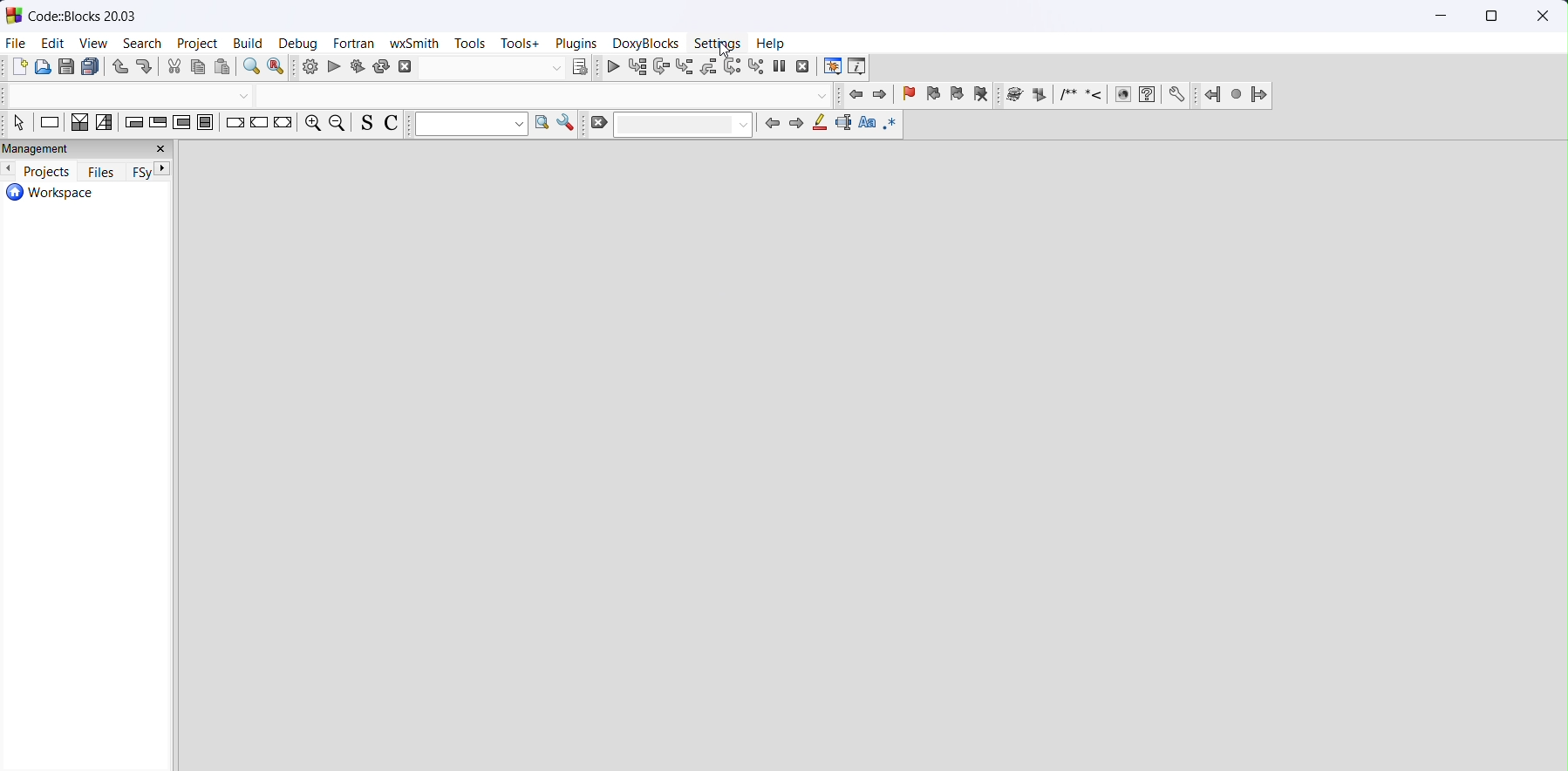  I want to click on cut, so click(174, 67).